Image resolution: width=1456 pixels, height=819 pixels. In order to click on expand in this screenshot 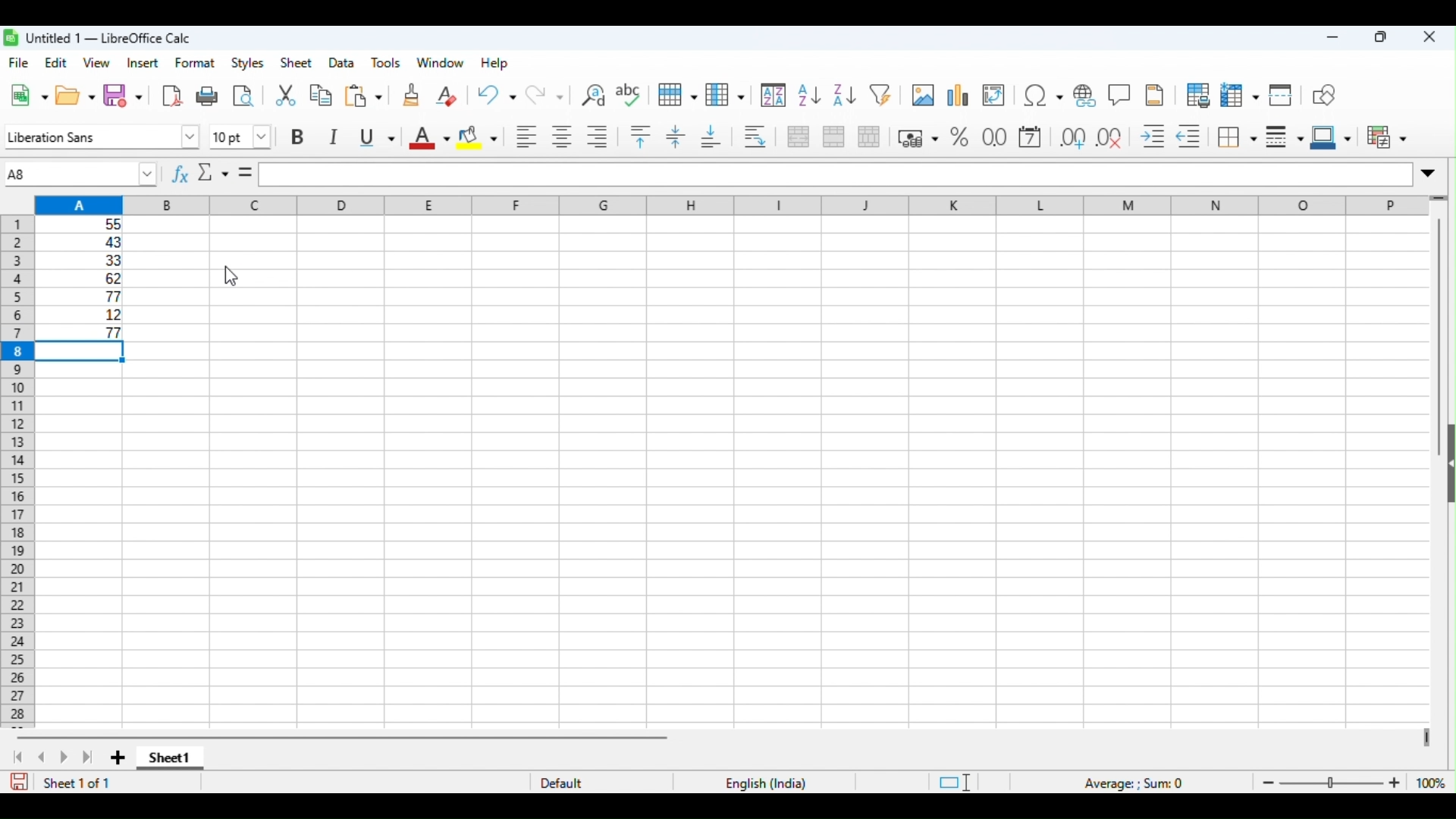, I will do `click(1432, 173)`.